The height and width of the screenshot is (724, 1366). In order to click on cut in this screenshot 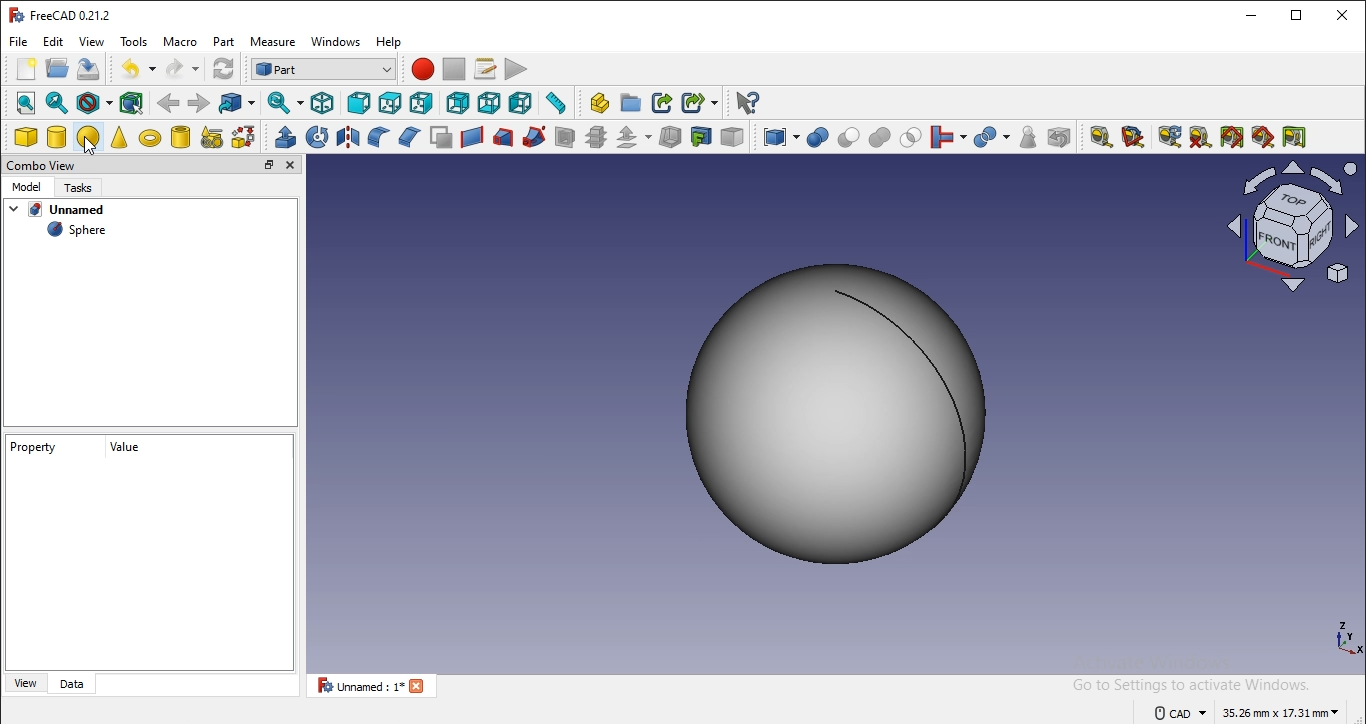, I will do `click(847, 138)`.